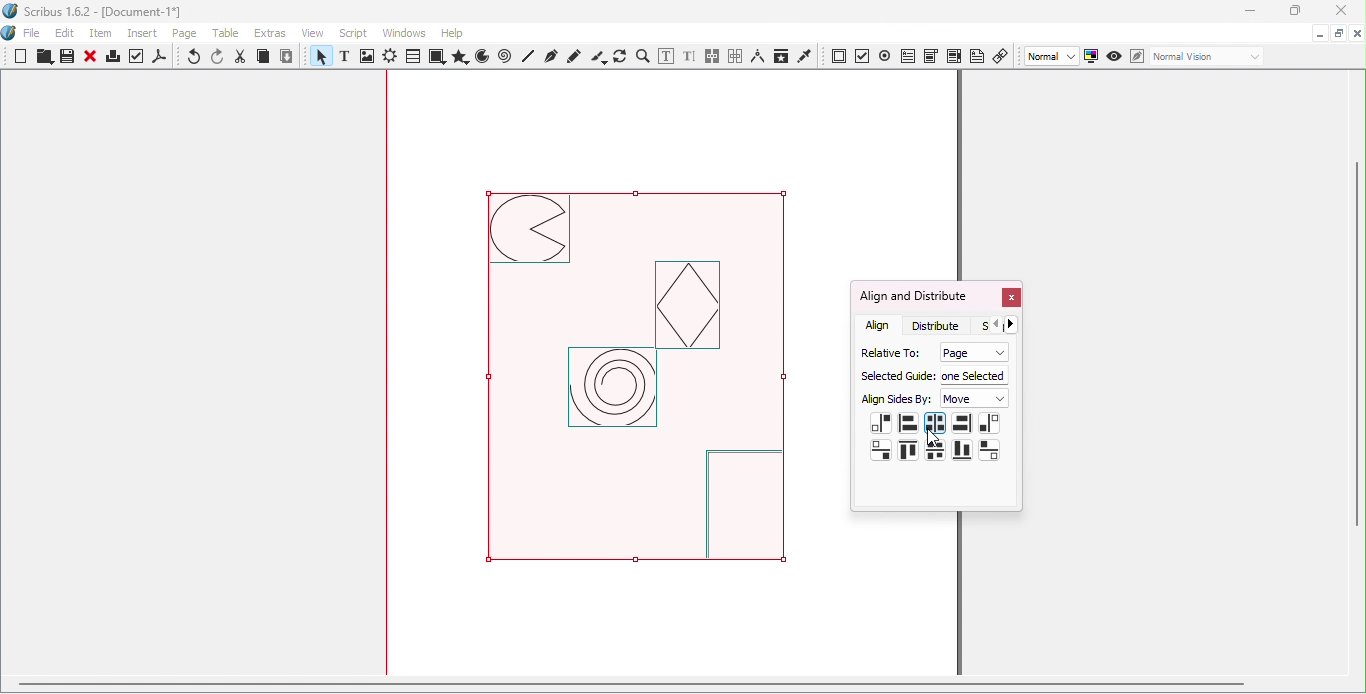  I want to click on Go back, so click(996, 325).